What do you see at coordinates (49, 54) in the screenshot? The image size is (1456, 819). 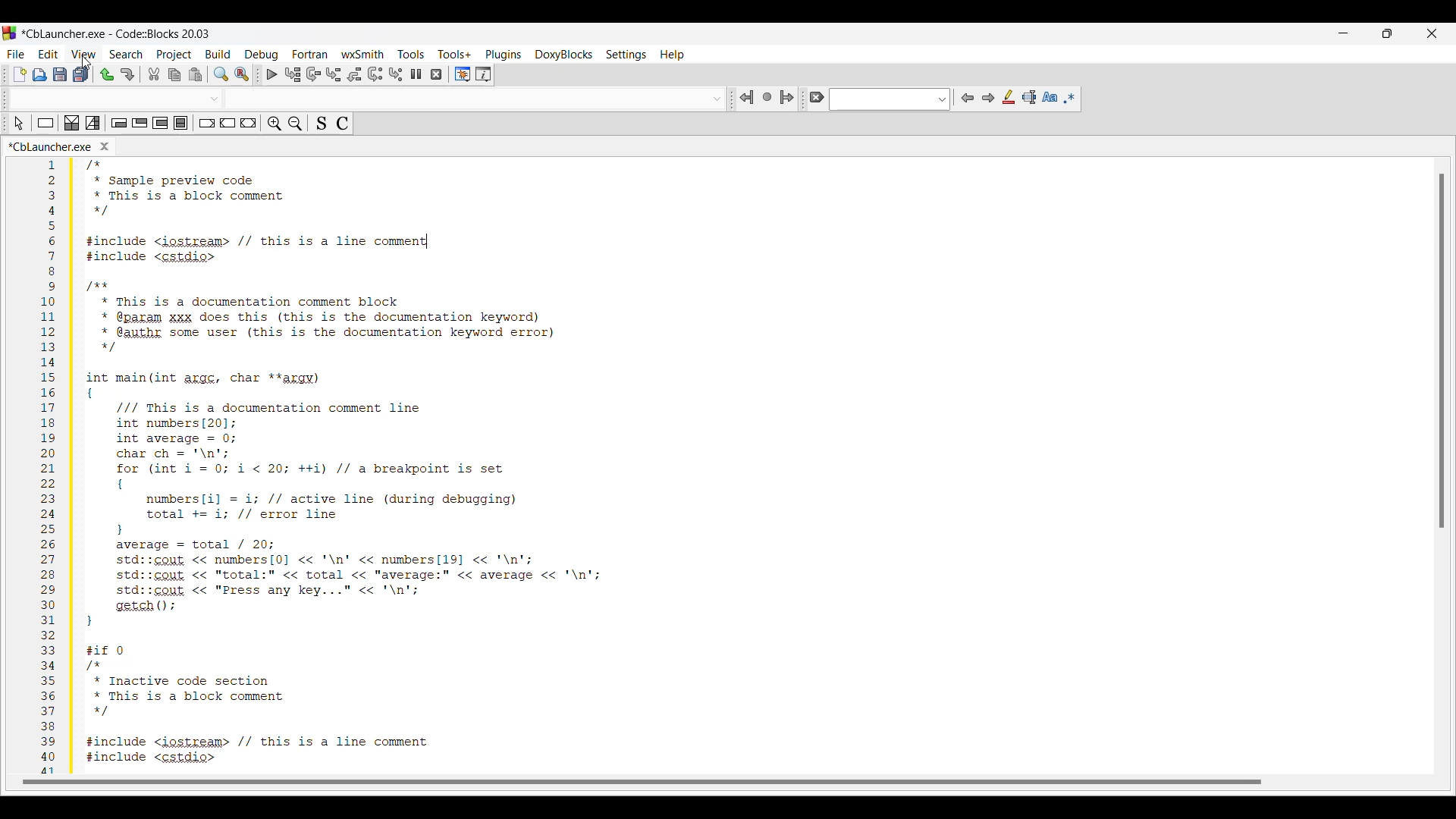 I see `Edit menu` at bounding box center [49, 54].